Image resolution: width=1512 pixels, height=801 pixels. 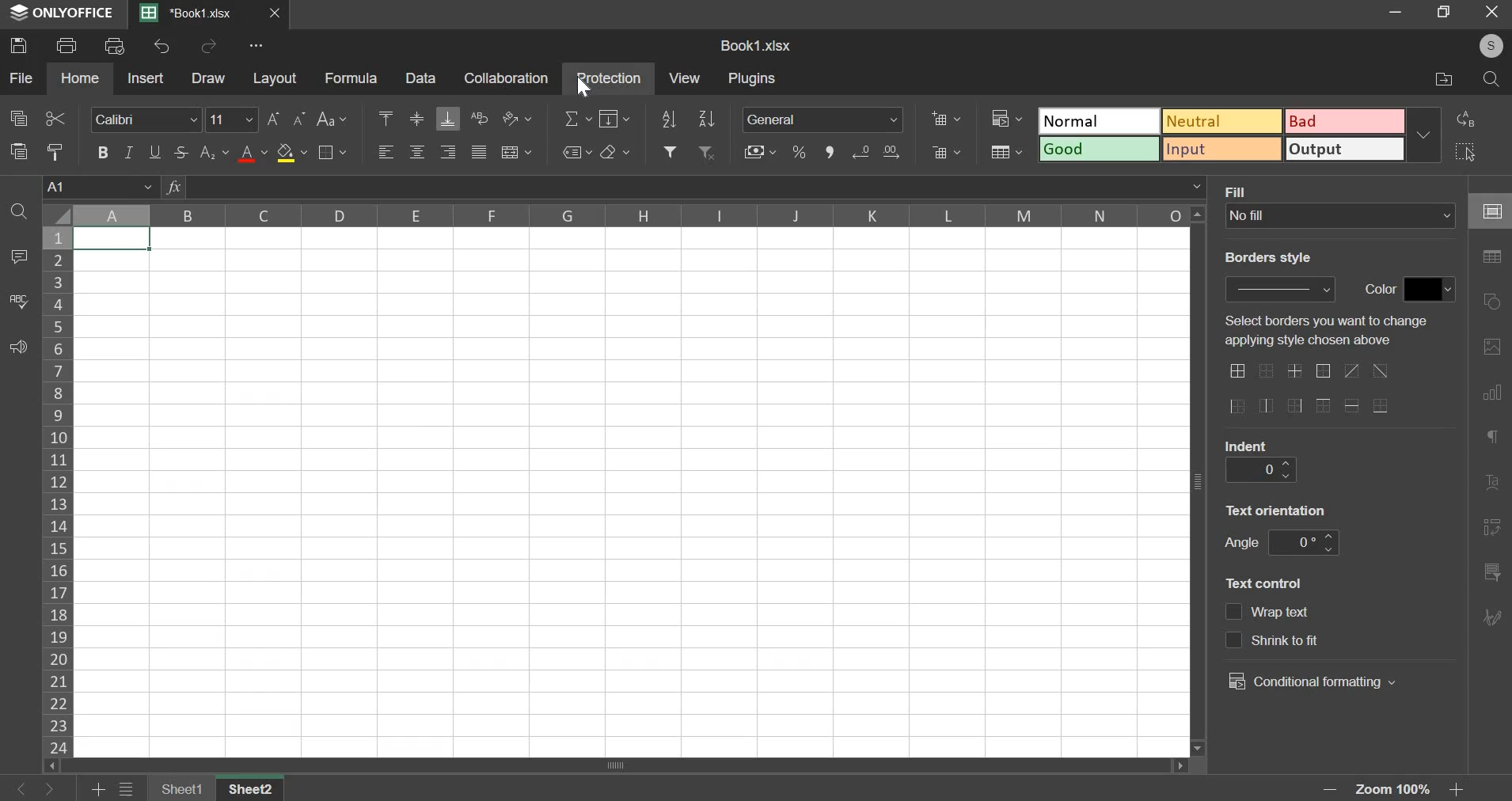 I want to click on add, so click(x=100, y=790).